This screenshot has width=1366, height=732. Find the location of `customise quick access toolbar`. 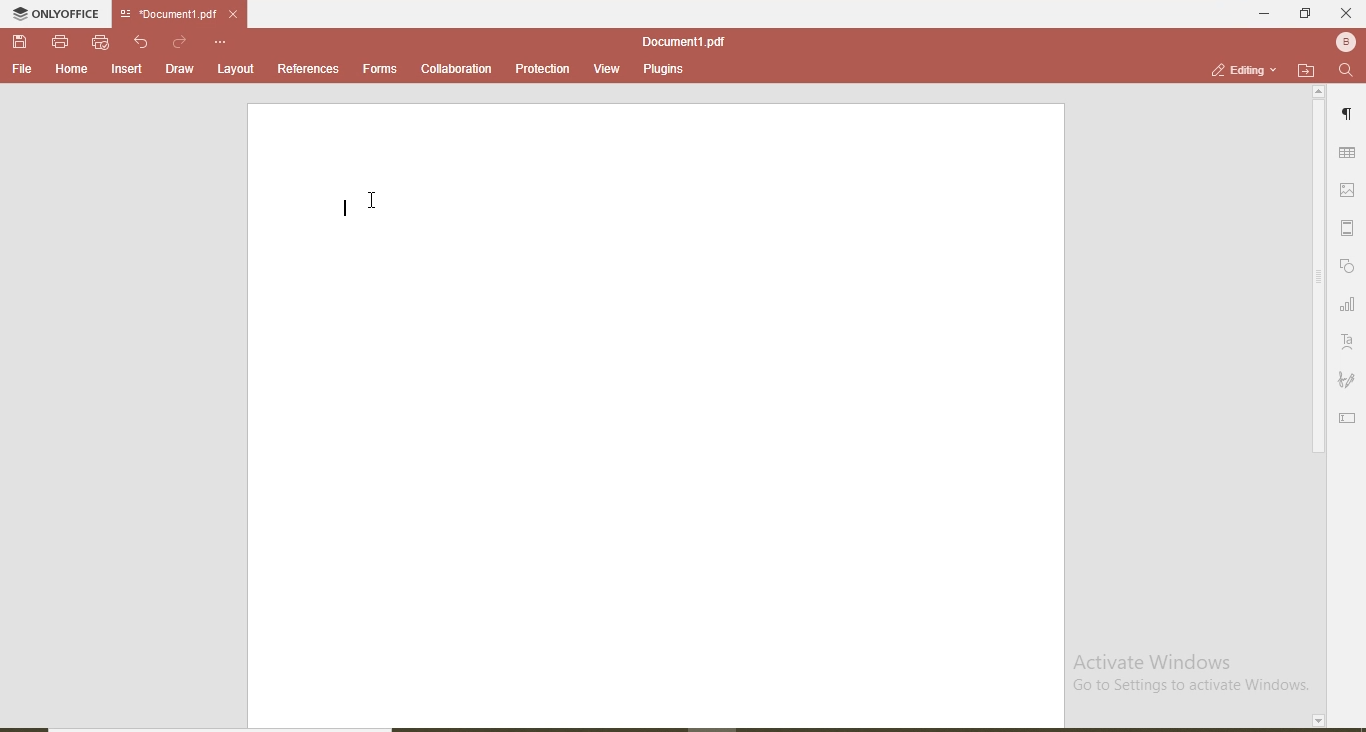

customise quick access toolbar is located at coordinates (222, 41).